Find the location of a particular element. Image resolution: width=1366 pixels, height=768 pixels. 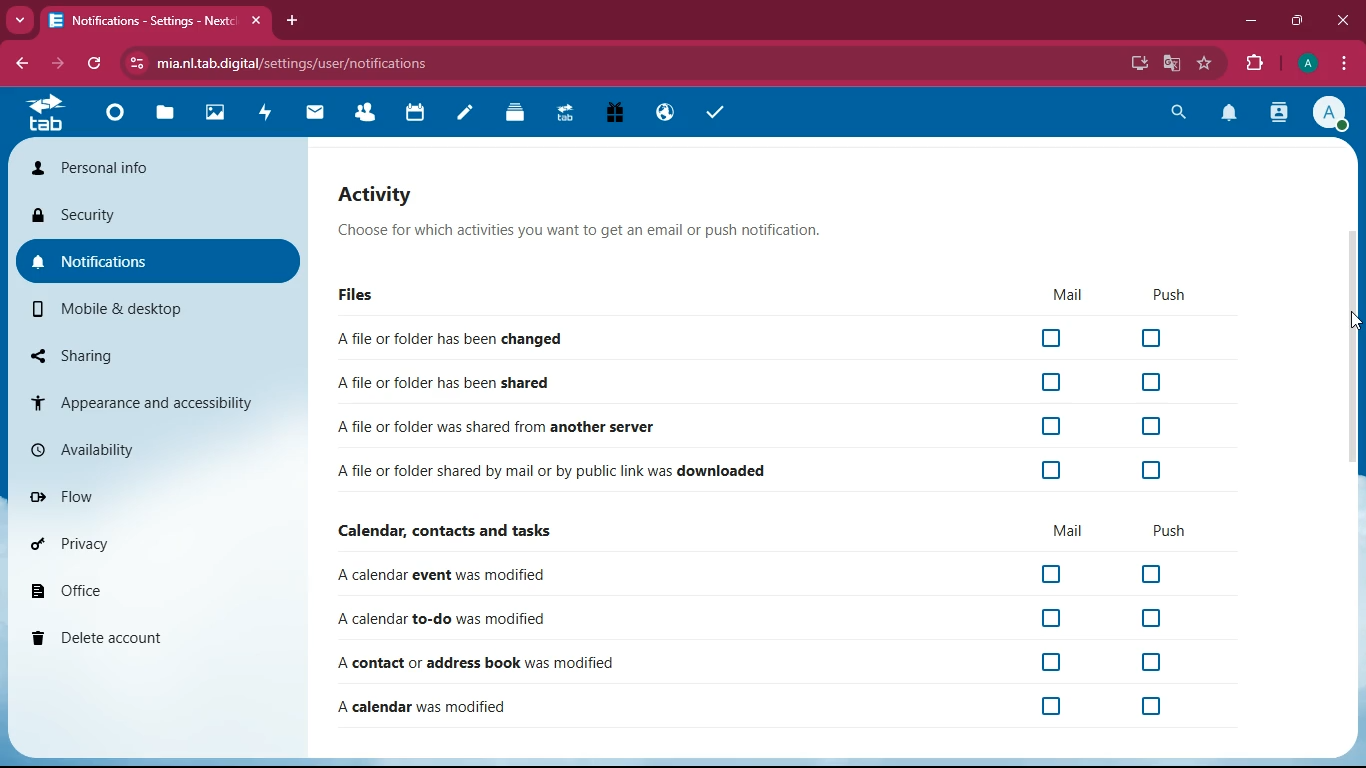

A calendar to-do was modified is located at coordinates (752, 615).